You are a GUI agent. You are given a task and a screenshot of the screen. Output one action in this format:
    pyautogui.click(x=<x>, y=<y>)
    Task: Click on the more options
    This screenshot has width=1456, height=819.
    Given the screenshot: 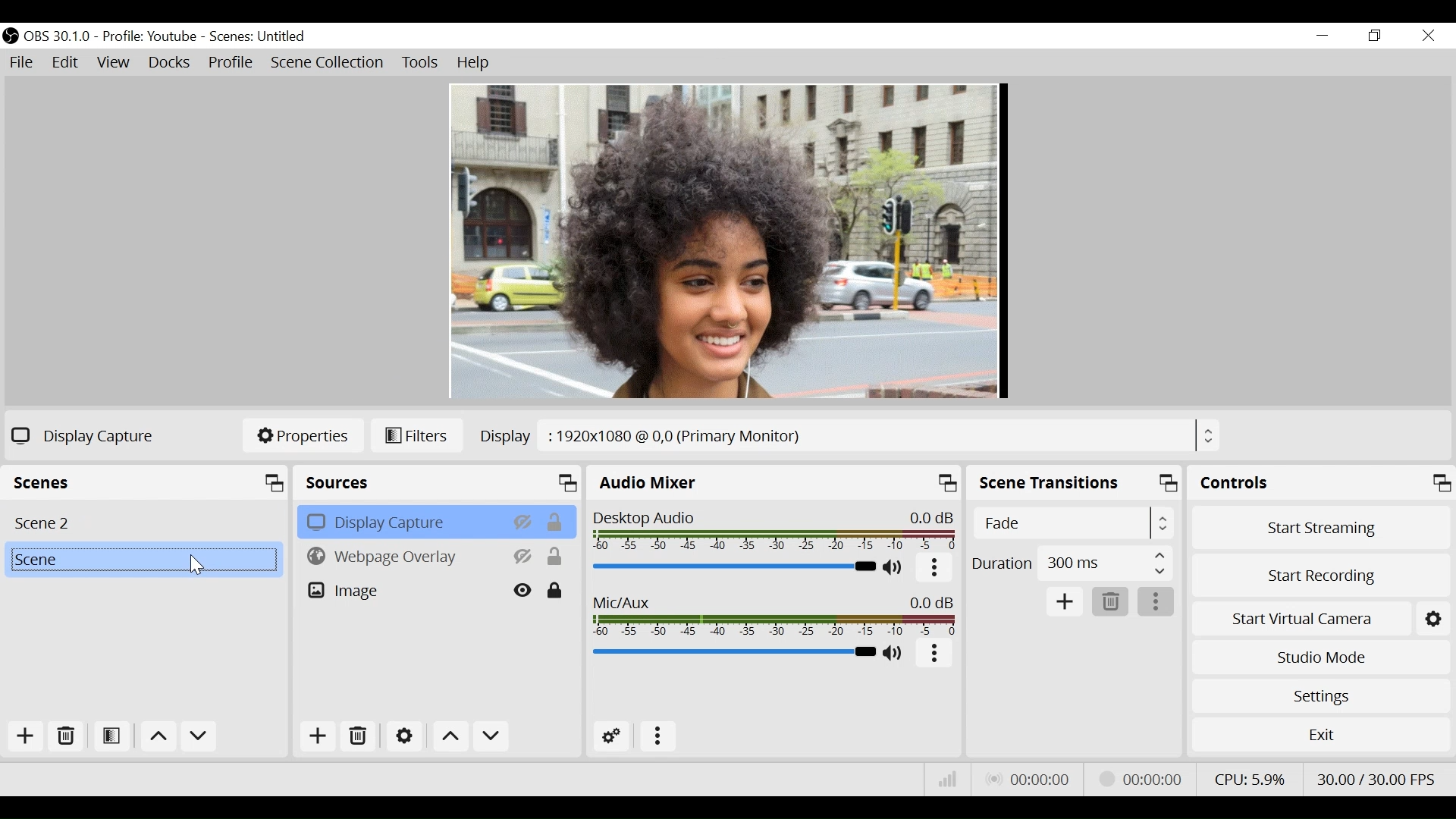 What is the action you would take?
    pyautogui.click(x=654, y=735)
    